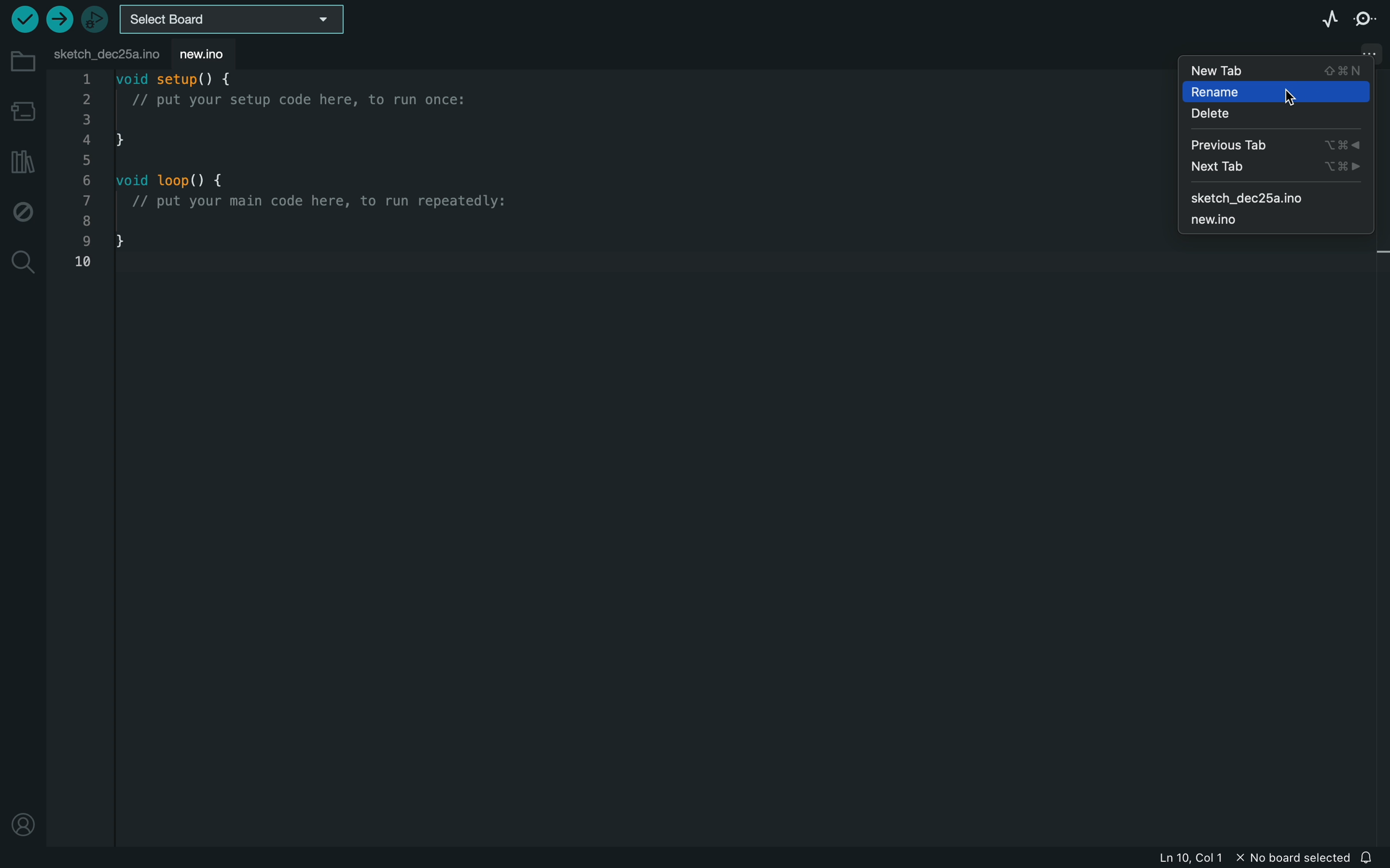 The width and height of the screenshot is (1390, 868). Describe the element at coordinates (24, 262) in the screenshot. I see `search` at that location.